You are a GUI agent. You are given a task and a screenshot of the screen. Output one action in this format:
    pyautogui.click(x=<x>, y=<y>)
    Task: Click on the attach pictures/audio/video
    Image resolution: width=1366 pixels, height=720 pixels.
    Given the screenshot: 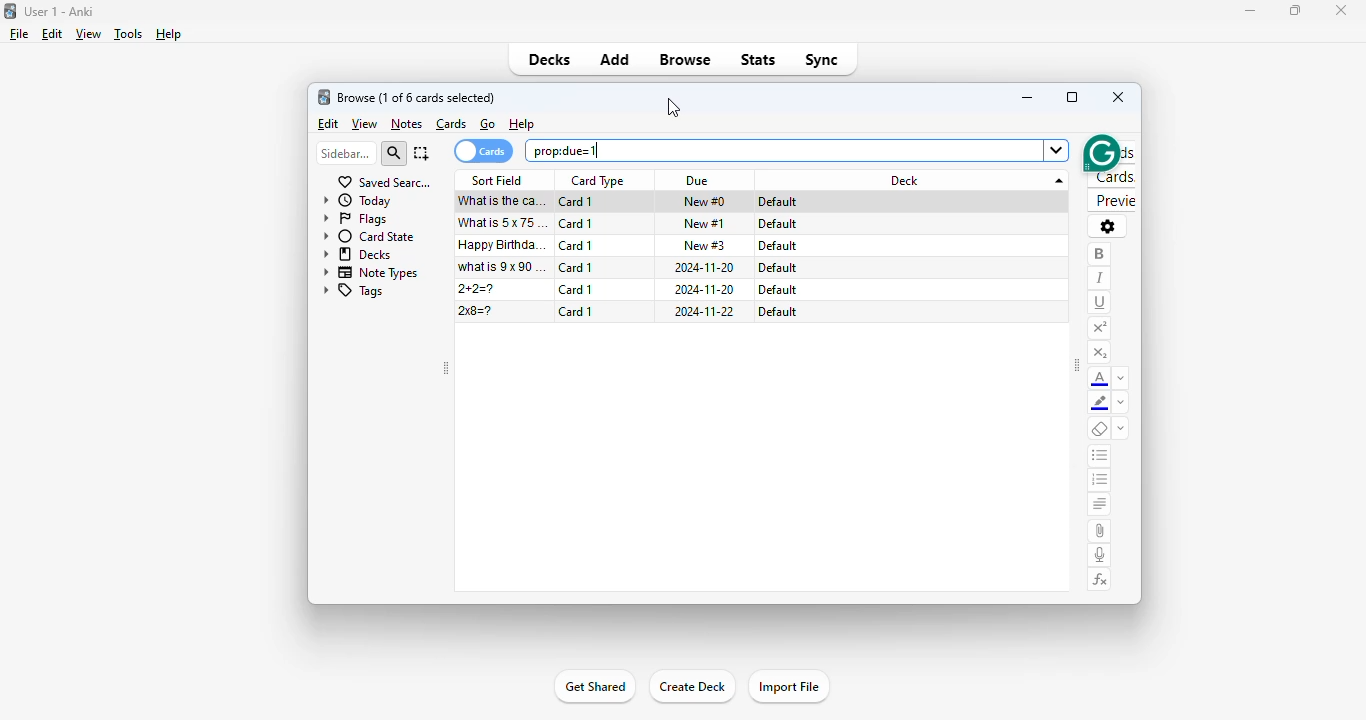 What is the action you would take?
    pyautogui.click(x=1100, y=531)
    